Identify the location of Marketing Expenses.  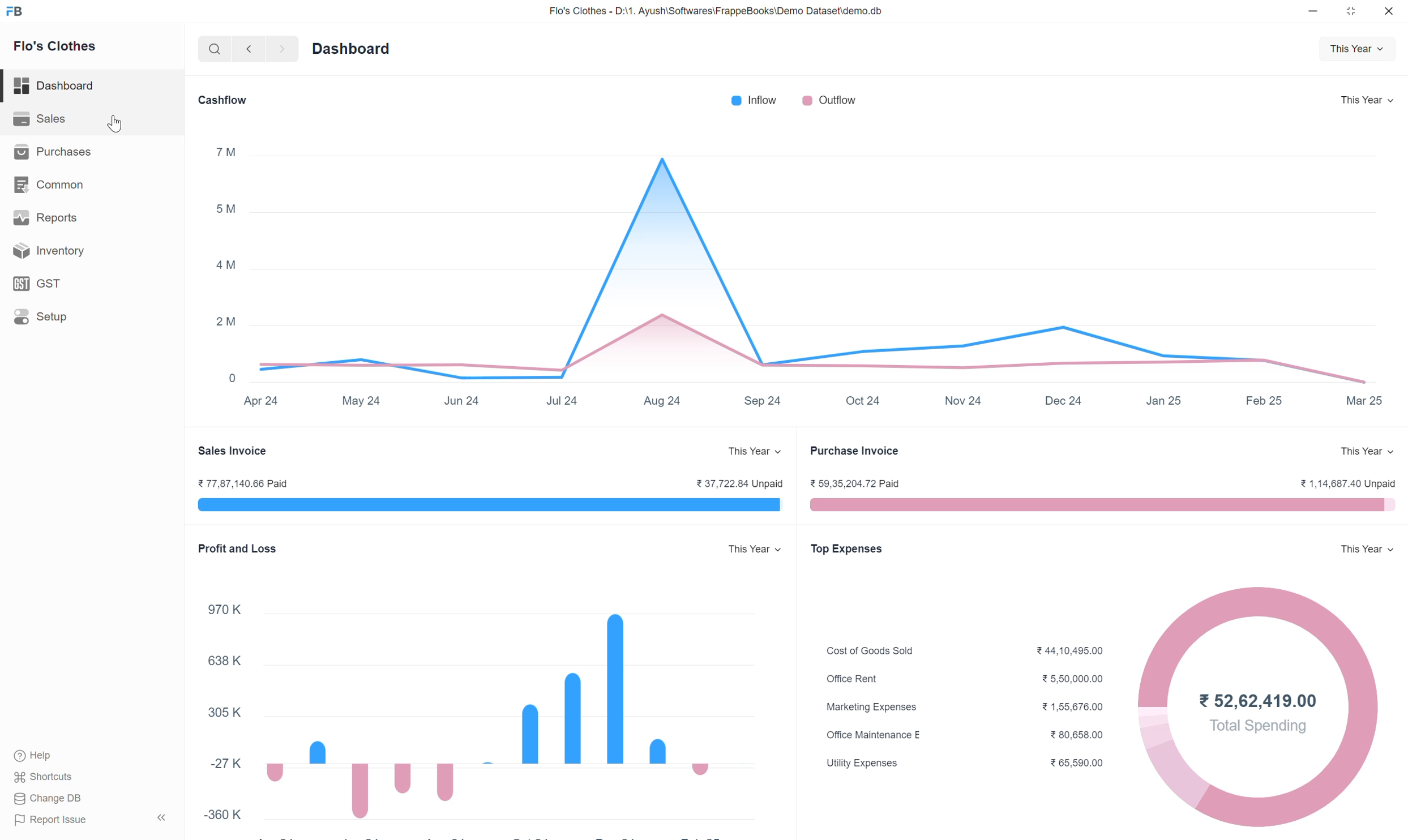
(876, 708).